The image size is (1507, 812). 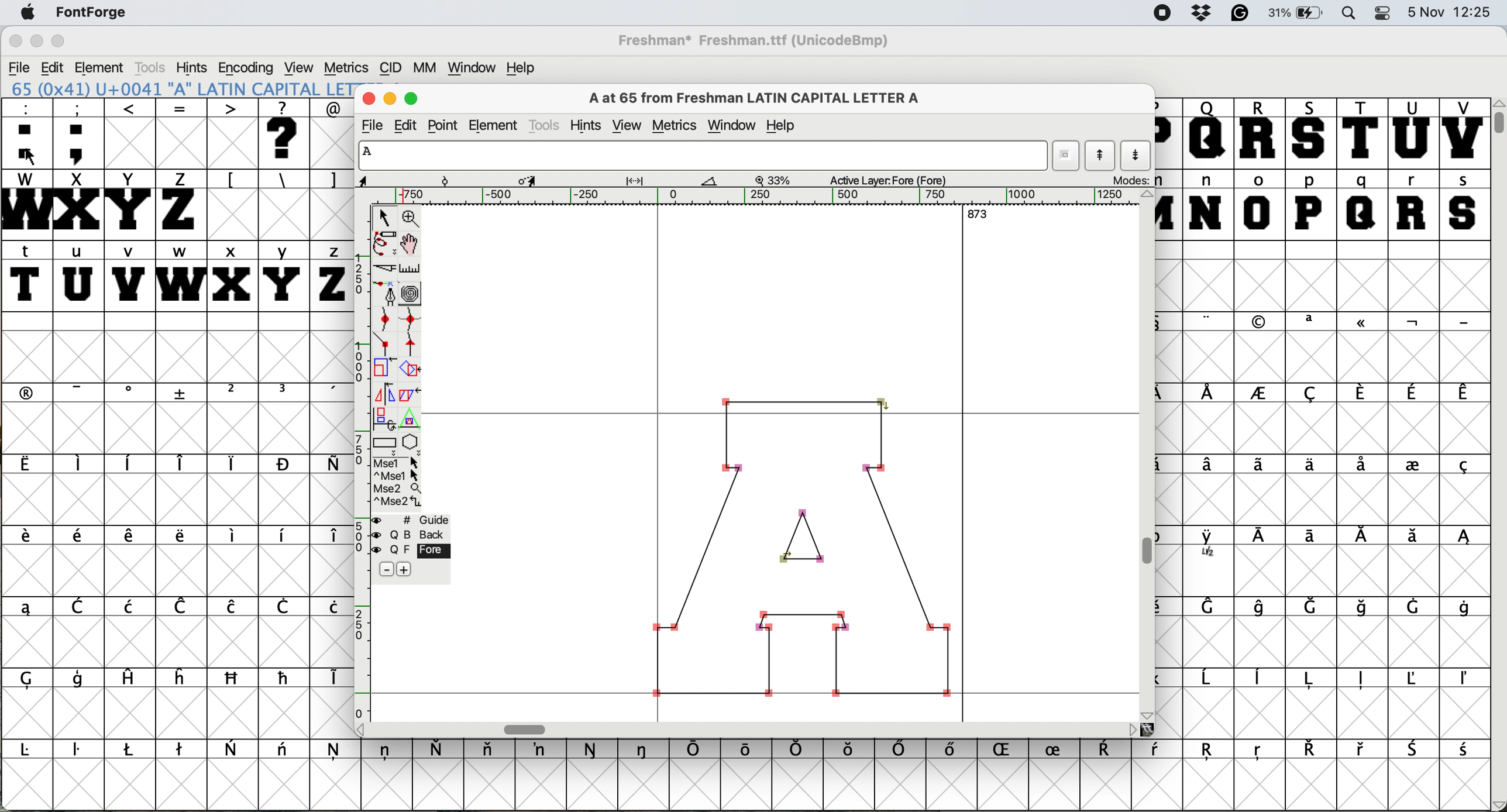 I want to click on select, so click(x=387, y=216).